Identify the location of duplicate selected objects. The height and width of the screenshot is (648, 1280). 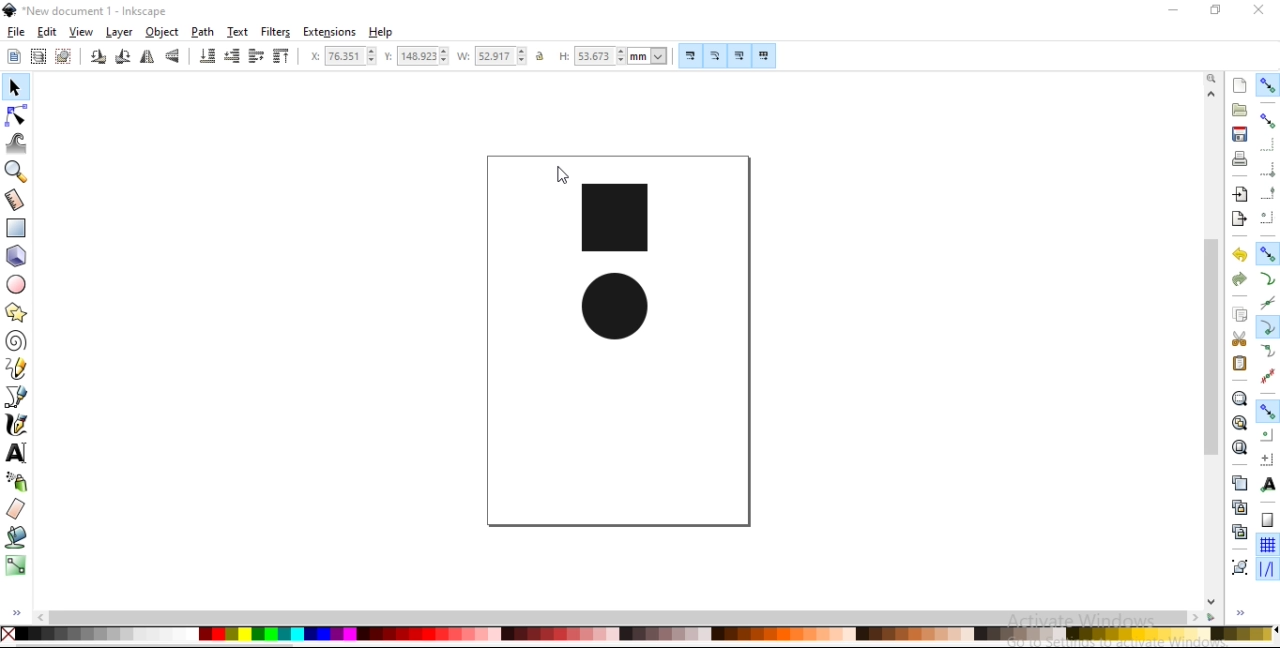
(1241, 485).